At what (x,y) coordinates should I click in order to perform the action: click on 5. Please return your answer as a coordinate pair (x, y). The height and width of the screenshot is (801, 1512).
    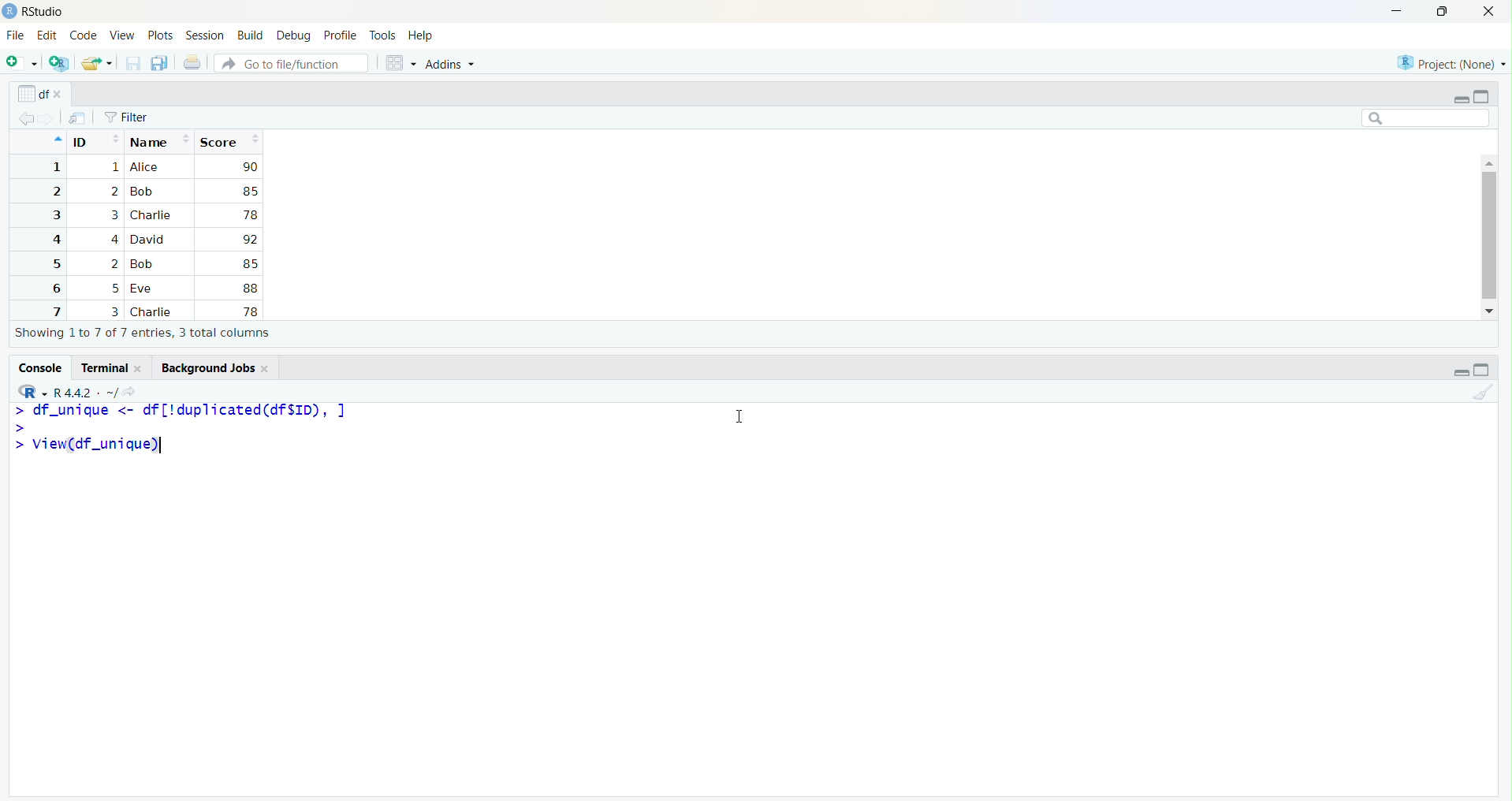
    Looking at the image, I should click on (54, 264).